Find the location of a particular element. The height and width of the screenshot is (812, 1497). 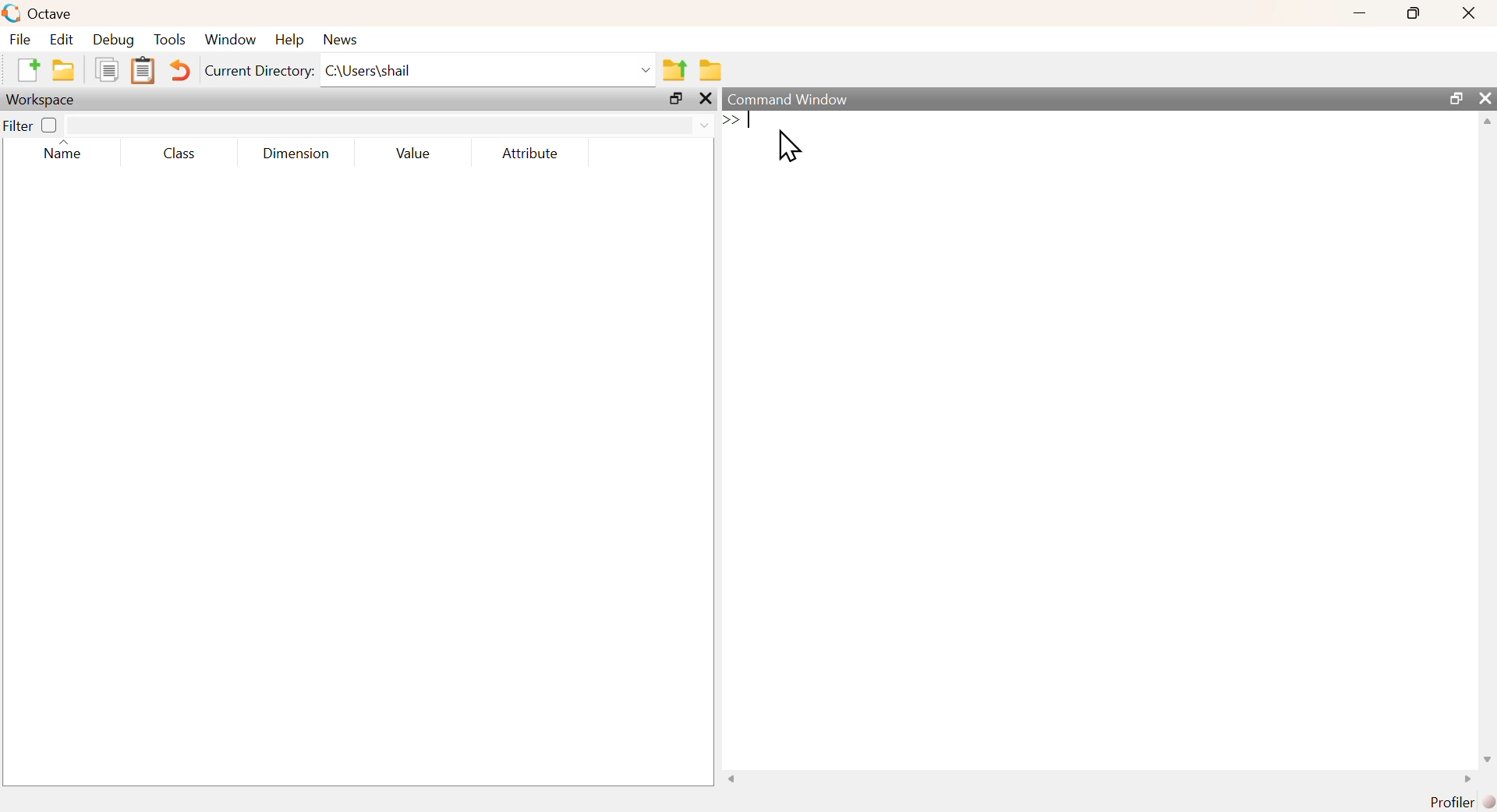

Help is located at coordinates (287, 40).